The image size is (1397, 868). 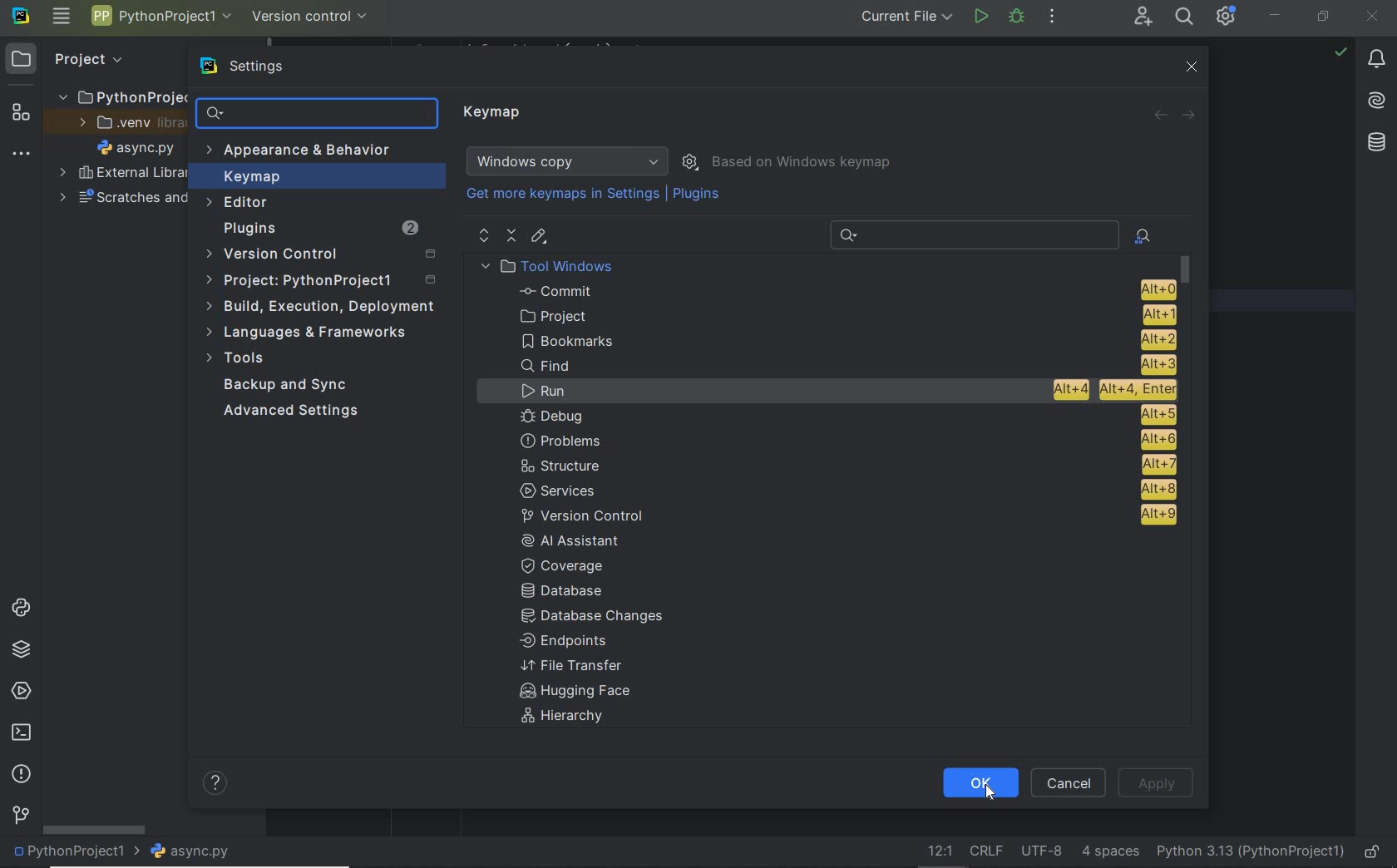 What do you see at coordinates (245, 67) in the screenshot?
I see `settings` at bounding box center [245, 67].